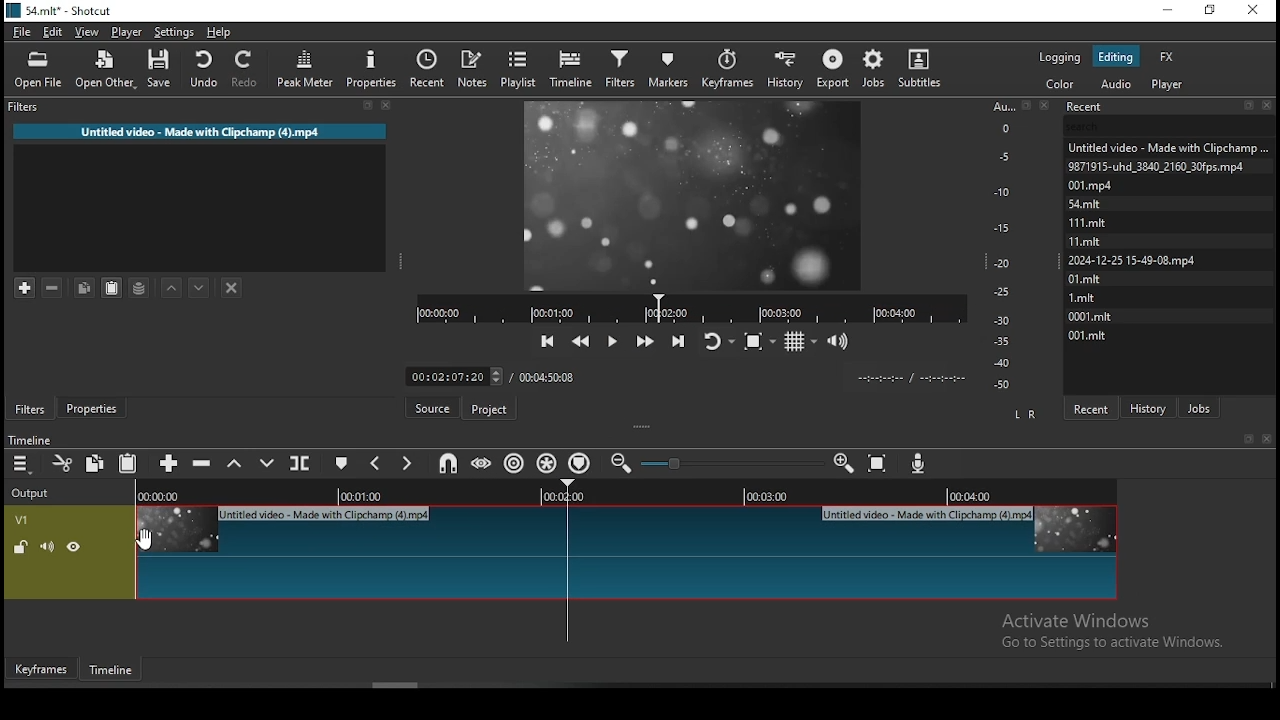 This screenshot has width=1280, height=720. Describe the element at coordinates (692, 309) in the screenshot. I see `playback progress bar` at that location.